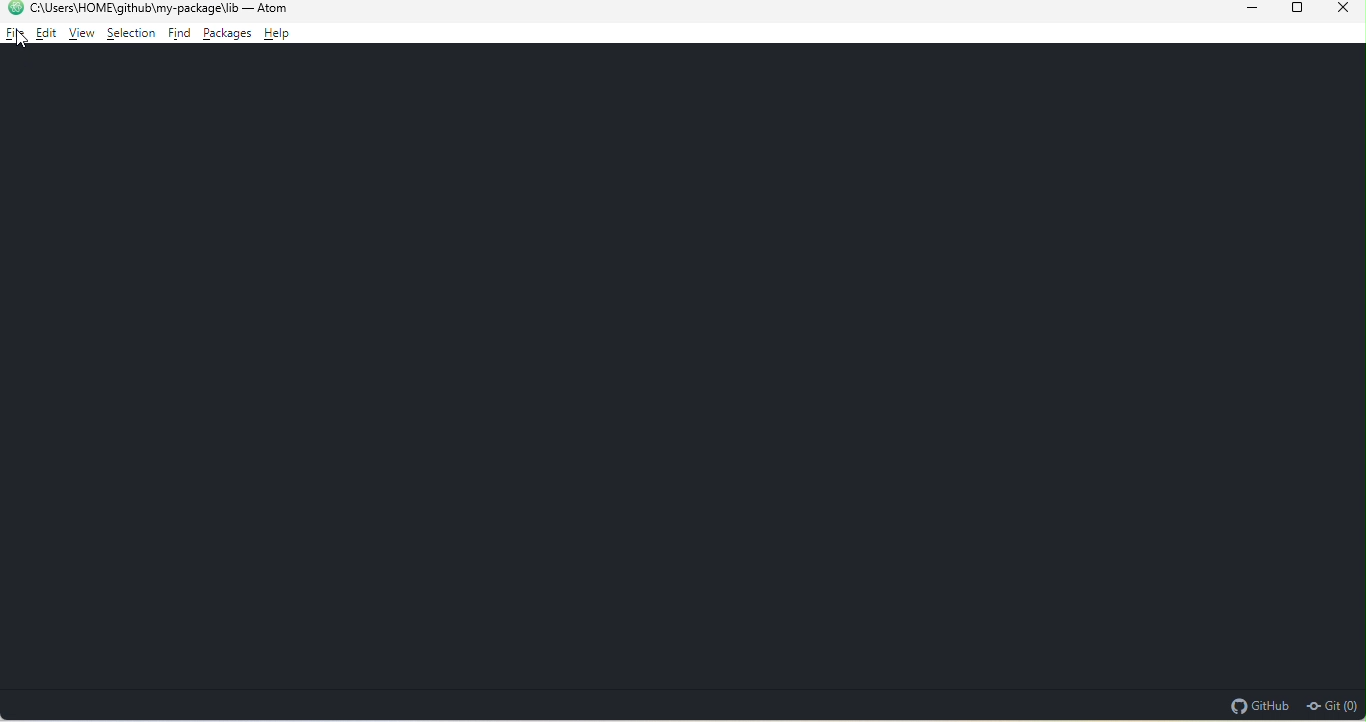 This screenshot has height=722, width=1366. Describe the element at coordinates (177, 35) in the screenshot. I see `find` at that location.